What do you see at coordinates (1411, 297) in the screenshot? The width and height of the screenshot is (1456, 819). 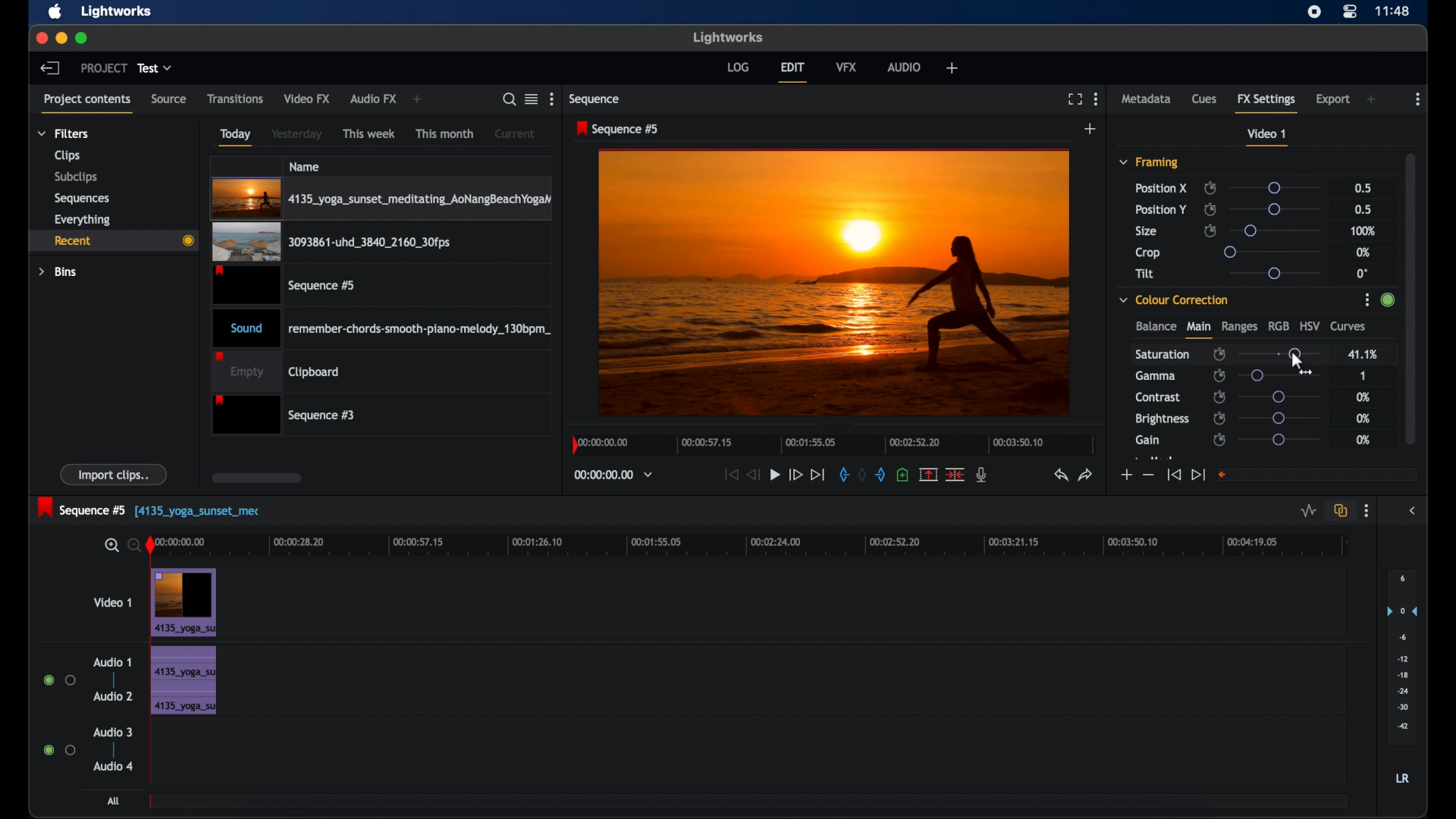 I see `scroll box` at bounding box center [1411, 297].